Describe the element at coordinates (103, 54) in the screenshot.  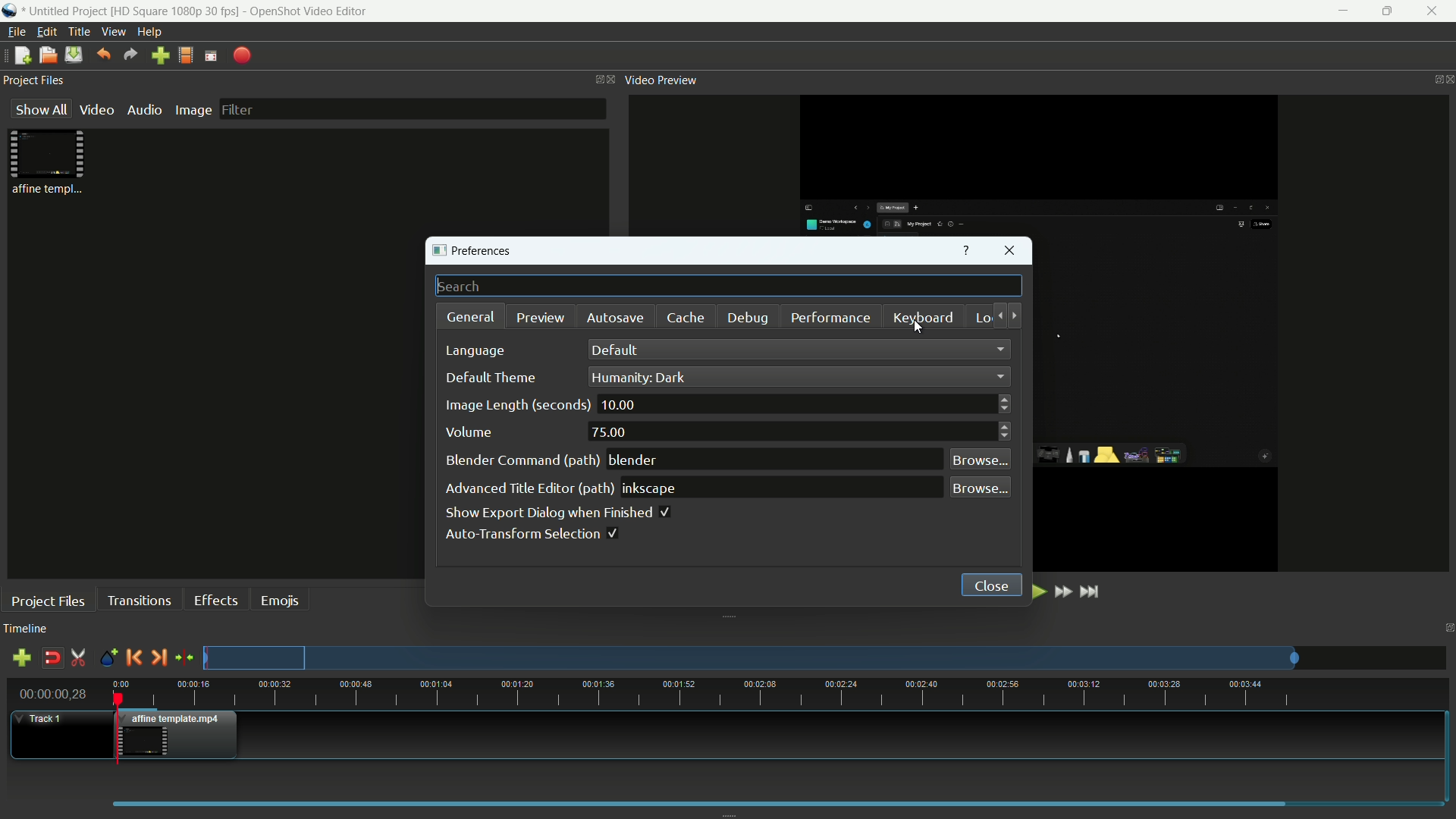
I see `undo` at that location.